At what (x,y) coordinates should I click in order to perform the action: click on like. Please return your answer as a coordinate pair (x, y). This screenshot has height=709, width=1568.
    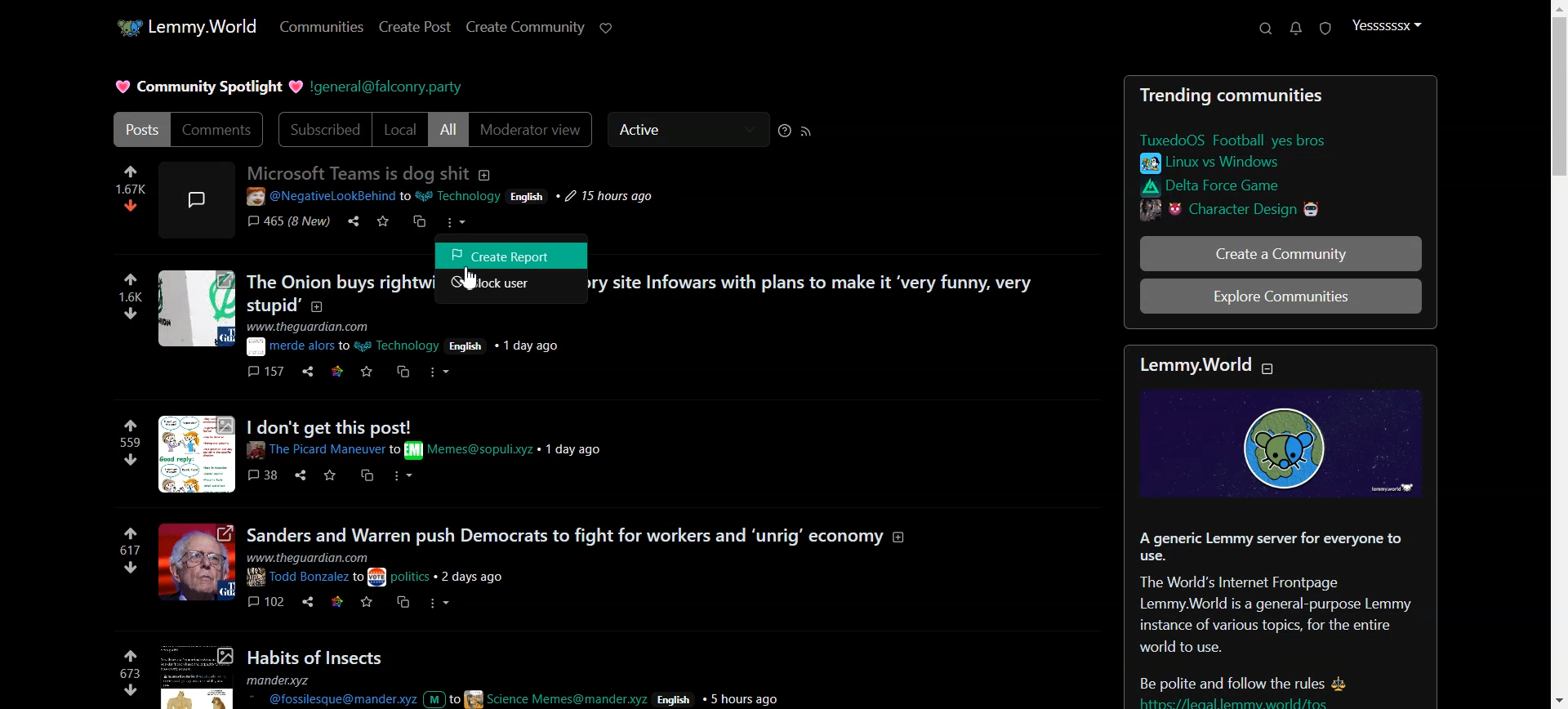
    Looking at the image, I should click on (127, 655).